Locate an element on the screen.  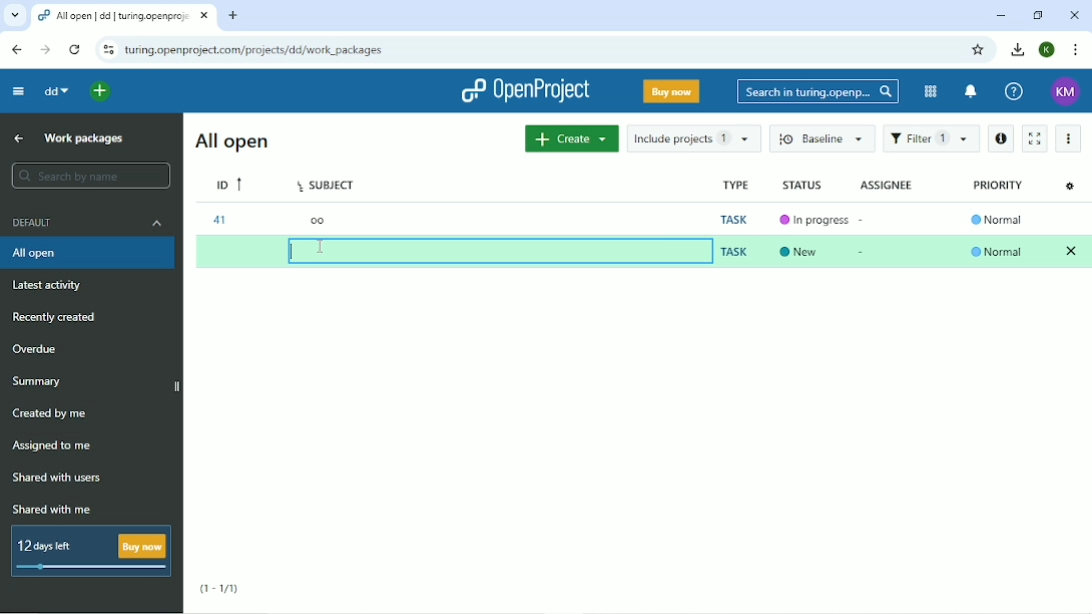
Type is located at coordinates (732, 186).